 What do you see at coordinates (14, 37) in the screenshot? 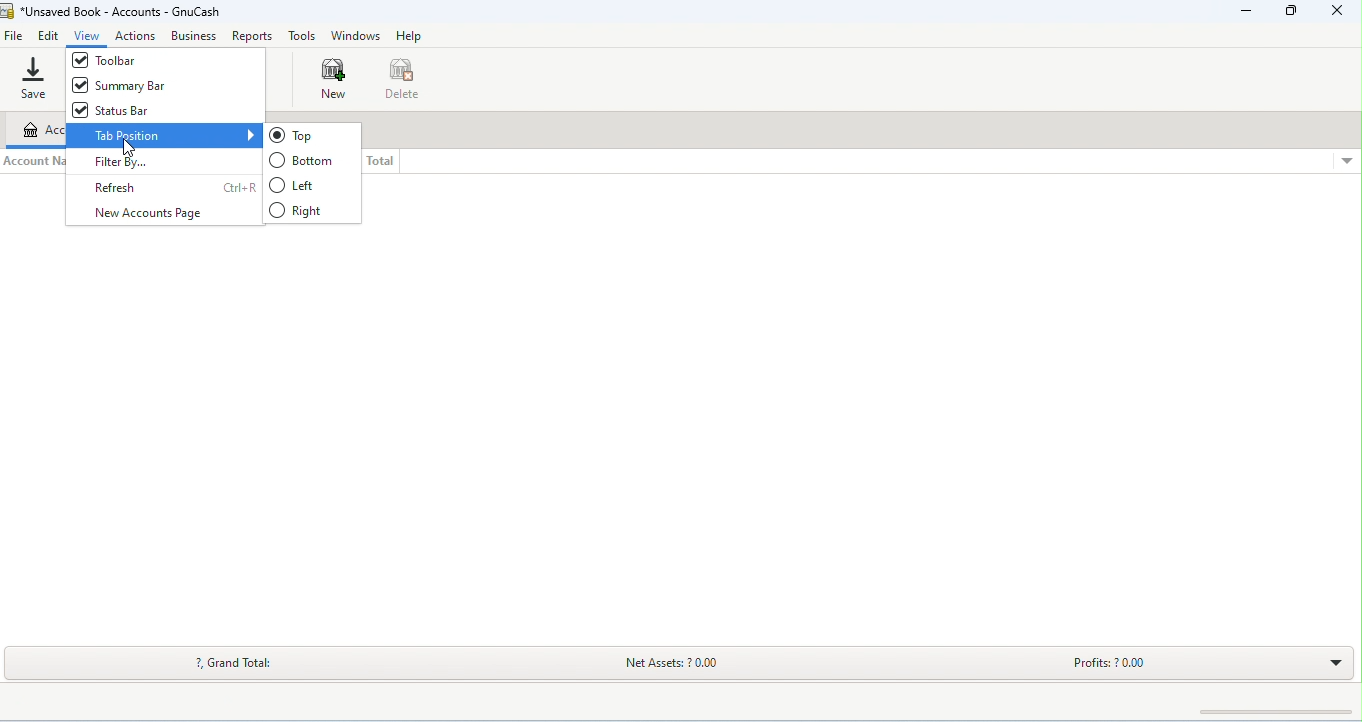
I see `file` at bounding box center [14, 37].